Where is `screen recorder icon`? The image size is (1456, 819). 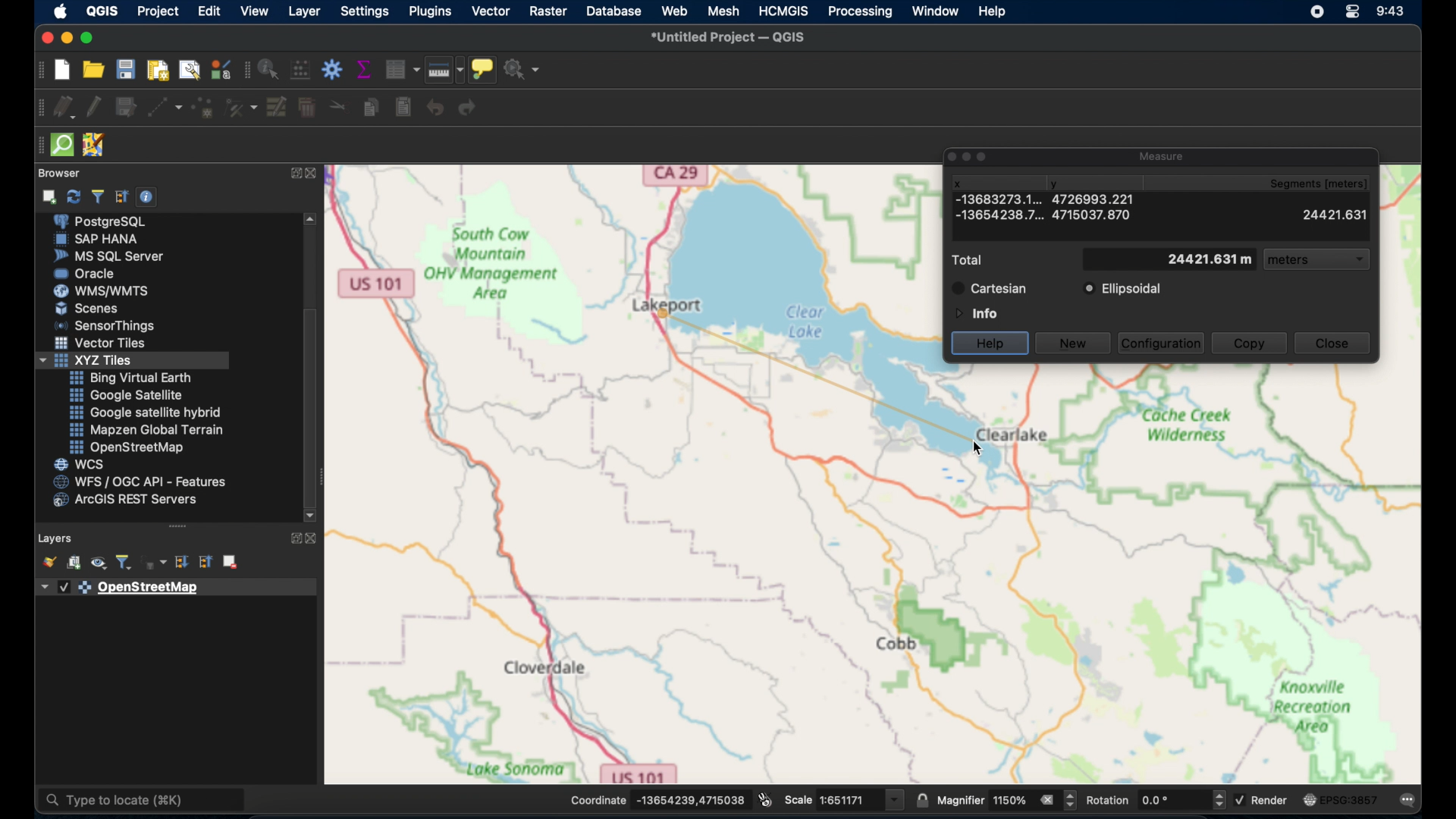 screen recorder icon is located at coordinates (1316, 12).